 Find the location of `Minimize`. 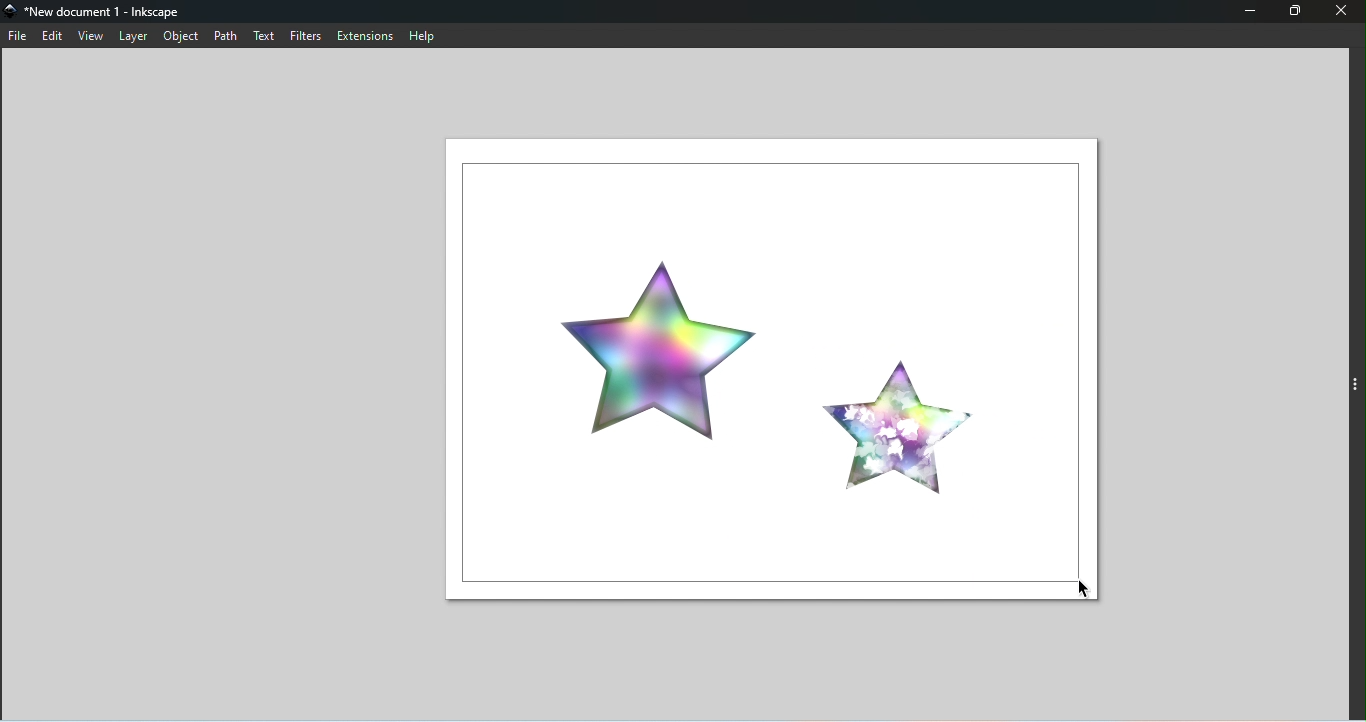

Minimize is located at coordinates (1254, 11).